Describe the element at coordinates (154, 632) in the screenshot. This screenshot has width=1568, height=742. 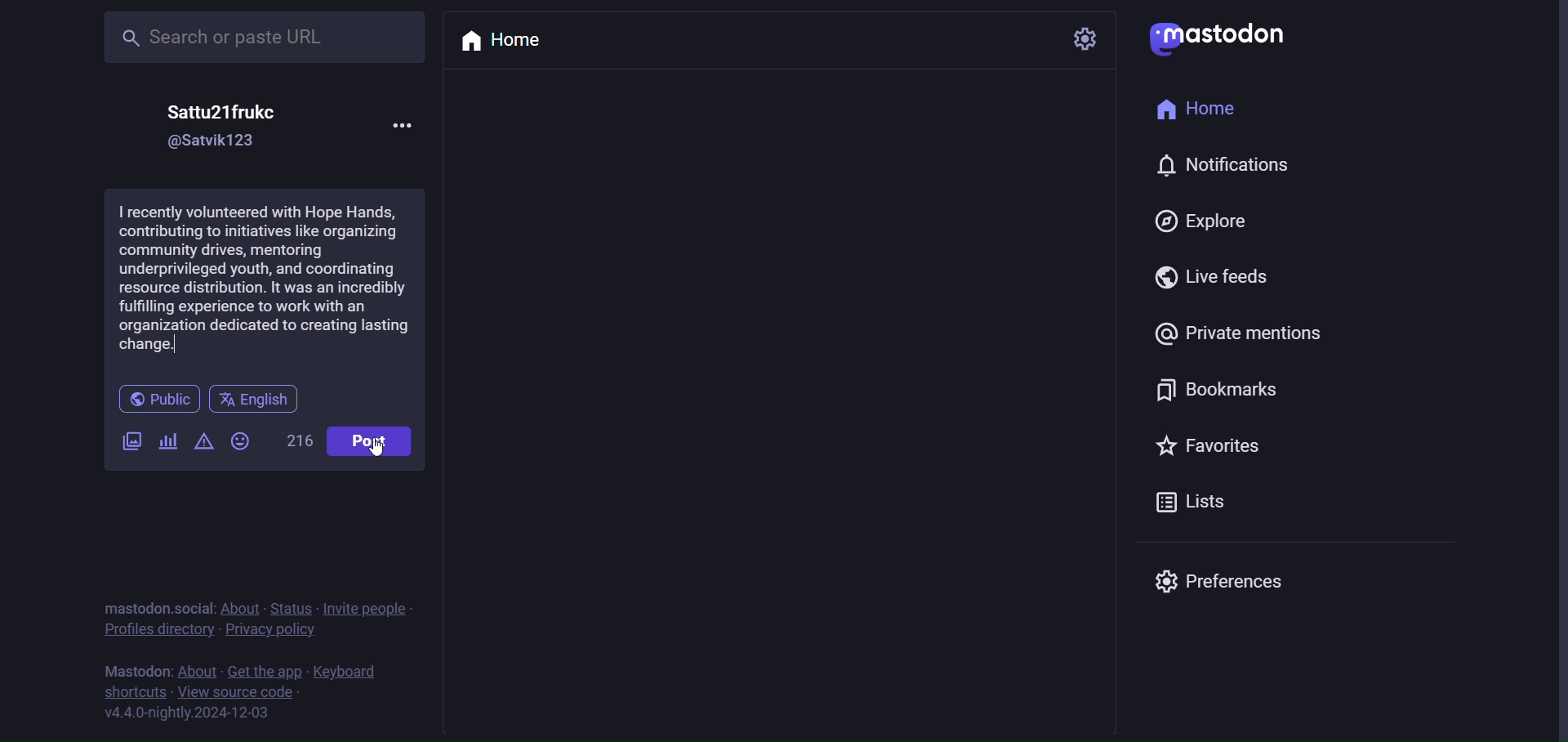
I see `Profile directory` at that location.